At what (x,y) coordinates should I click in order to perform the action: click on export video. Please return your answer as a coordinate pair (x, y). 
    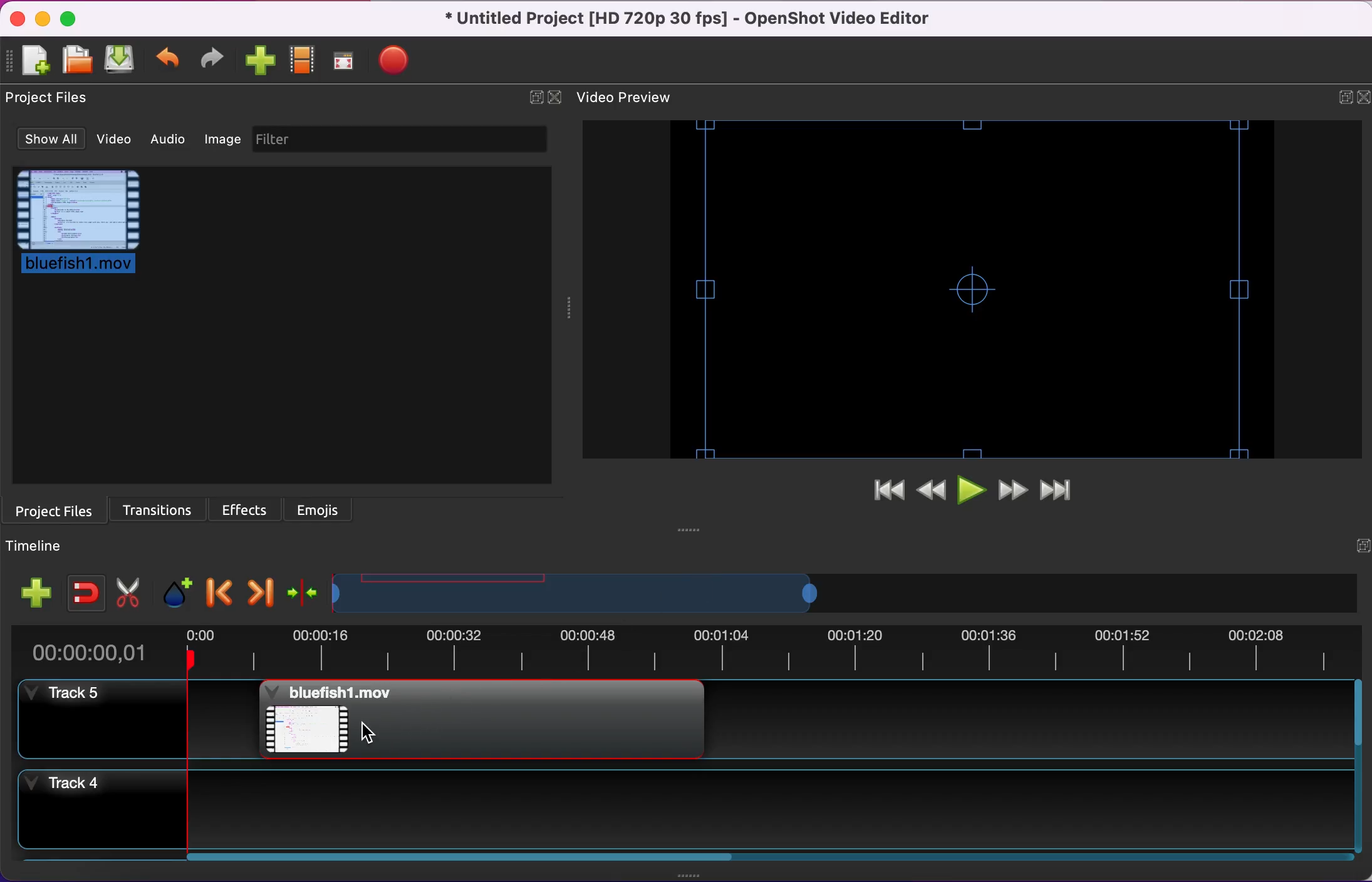
    Looking at the image, I should click on (400, 64).